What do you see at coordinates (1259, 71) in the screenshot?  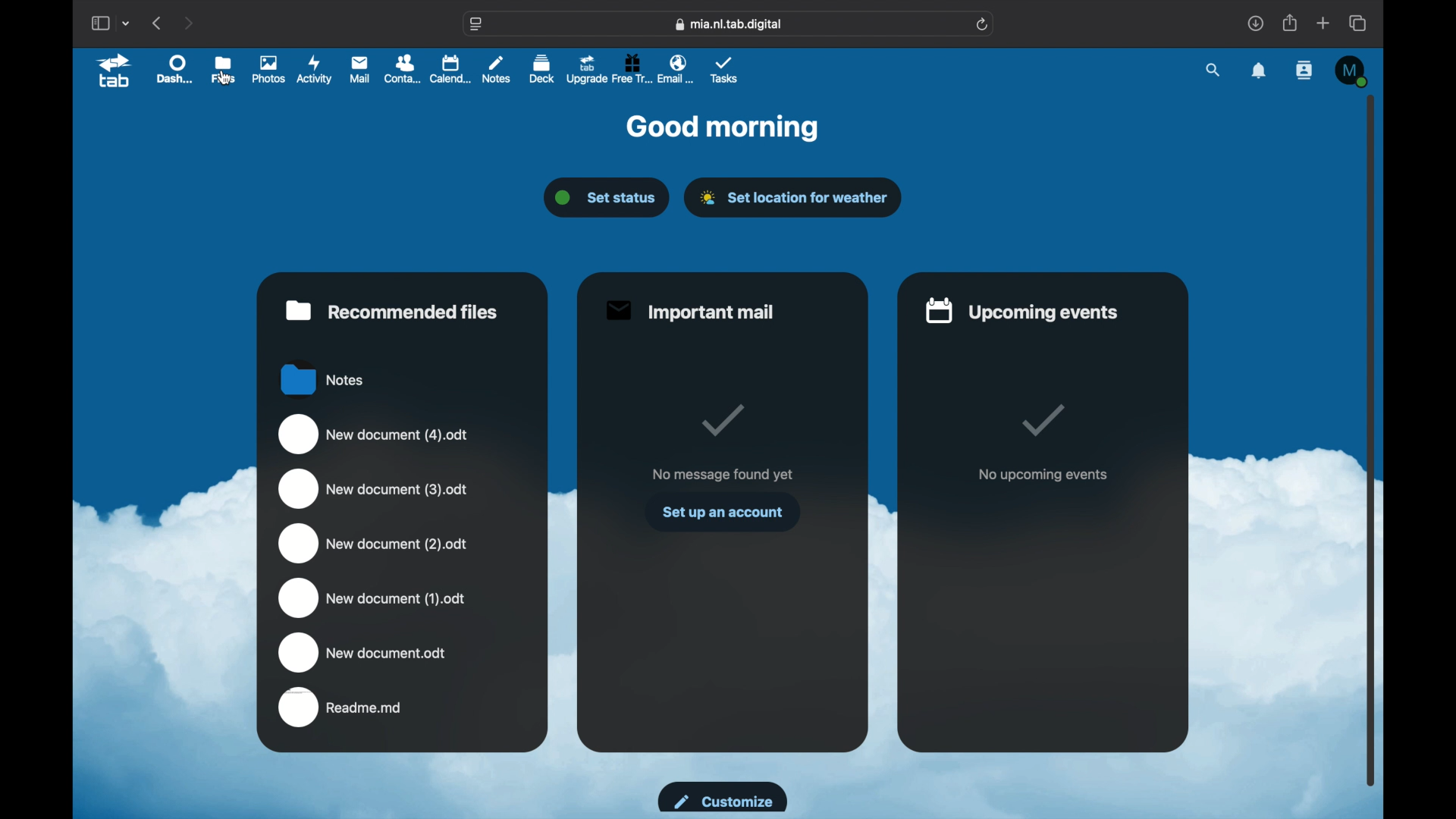 I see `notifications` at bounding box center [1259, 71].